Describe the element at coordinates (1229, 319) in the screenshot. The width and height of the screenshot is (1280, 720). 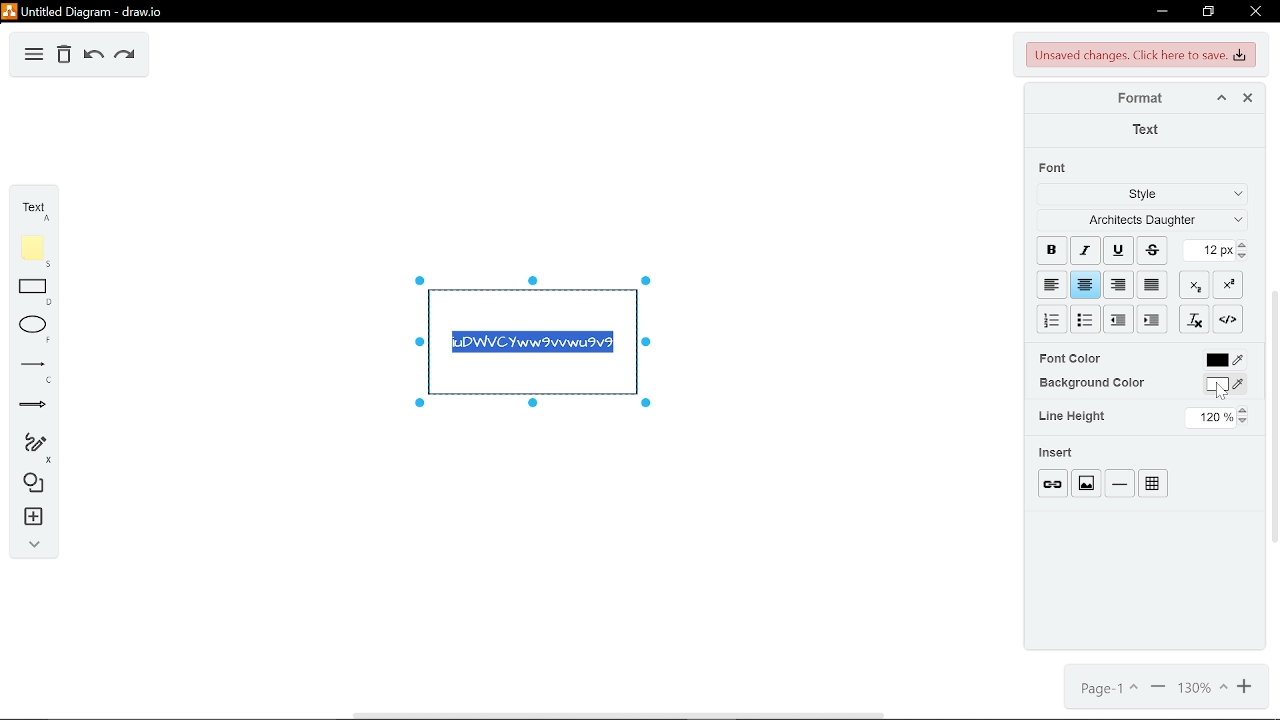
I see `HTML` at that location.